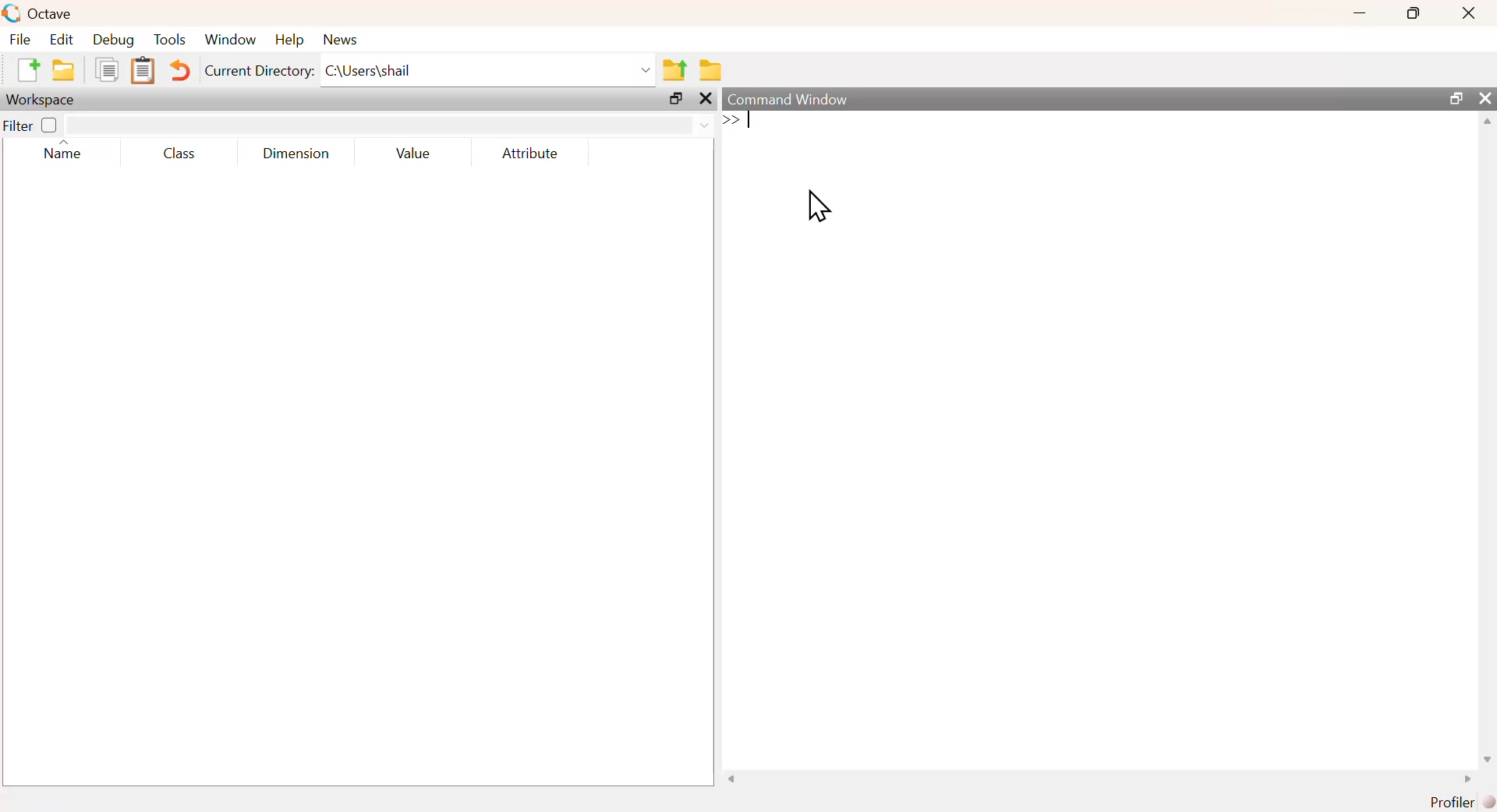  What do you see at coordinates (62, 39) in the screenshot?
I see `Edit` at bounding box center [62, 39].